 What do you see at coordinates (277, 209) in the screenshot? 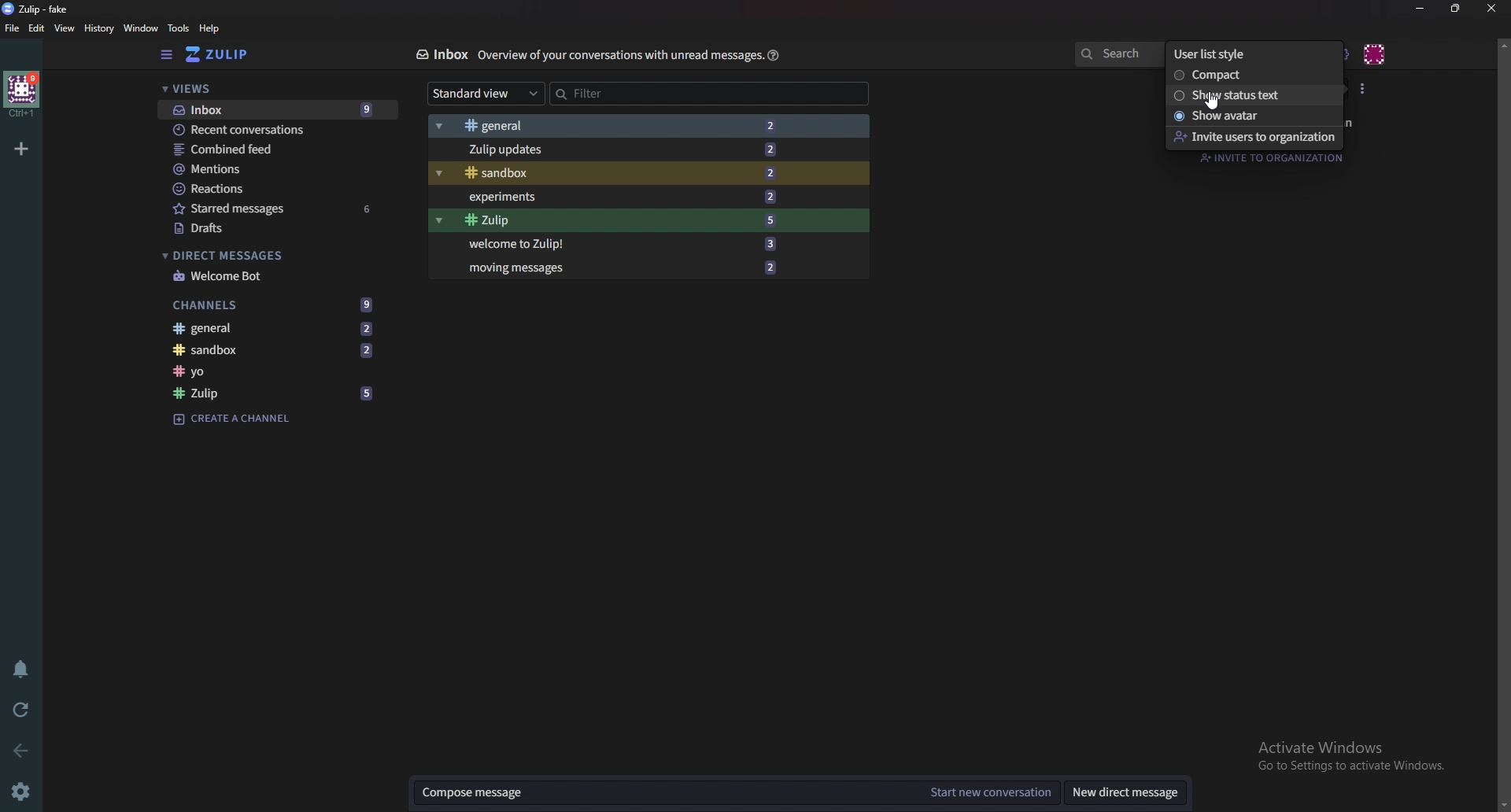
I see `Starred messages` at bounding box center [277, 209].